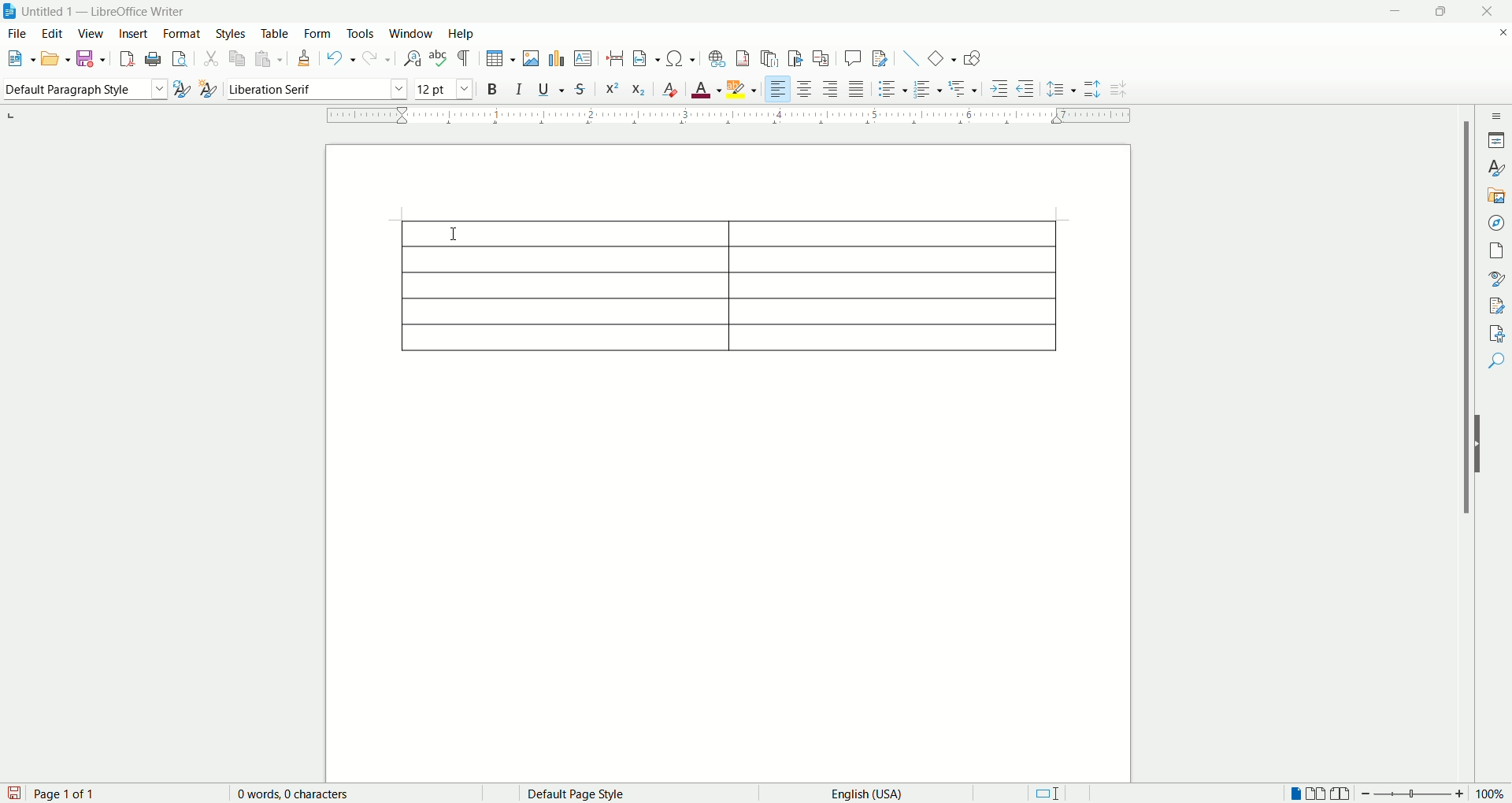  What do you see at coordinates (823, 59) in the screenshot?
I see `insert cross references` at bounding box center [823, 59].